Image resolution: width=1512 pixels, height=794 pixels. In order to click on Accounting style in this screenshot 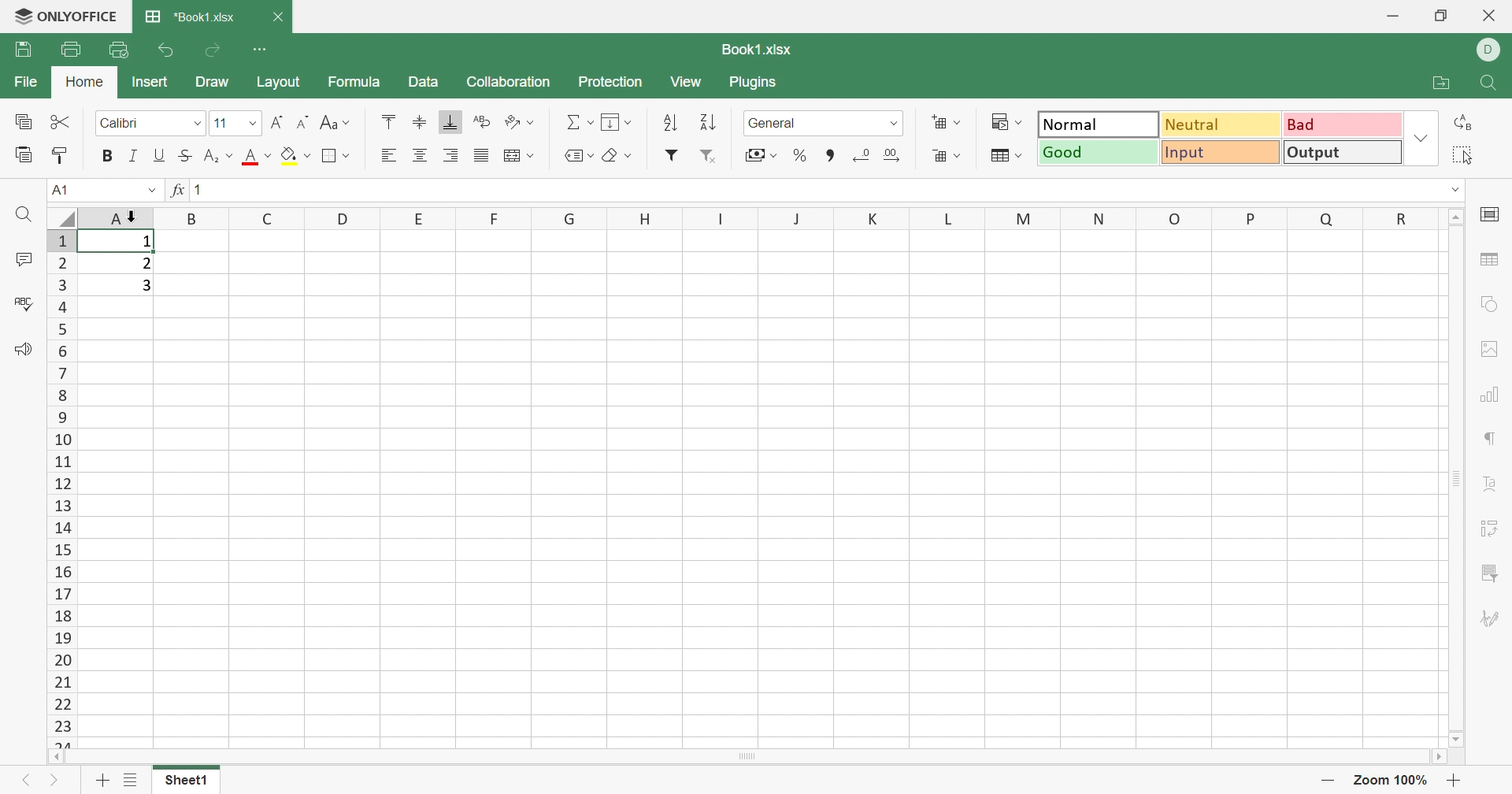, I will do `click(760, 157)`.